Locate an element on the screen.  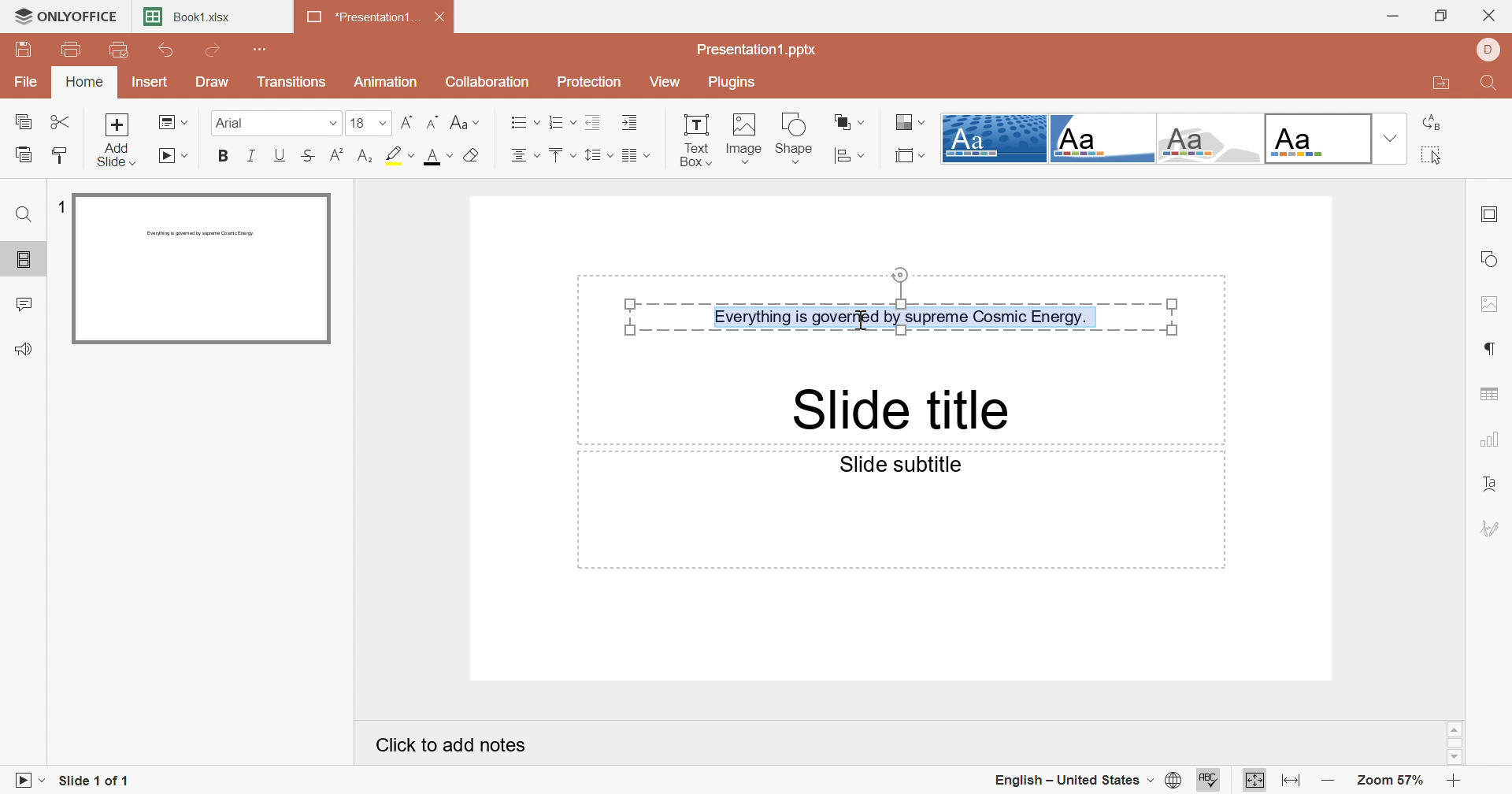
DELL is located at coordinates (1488, 50).